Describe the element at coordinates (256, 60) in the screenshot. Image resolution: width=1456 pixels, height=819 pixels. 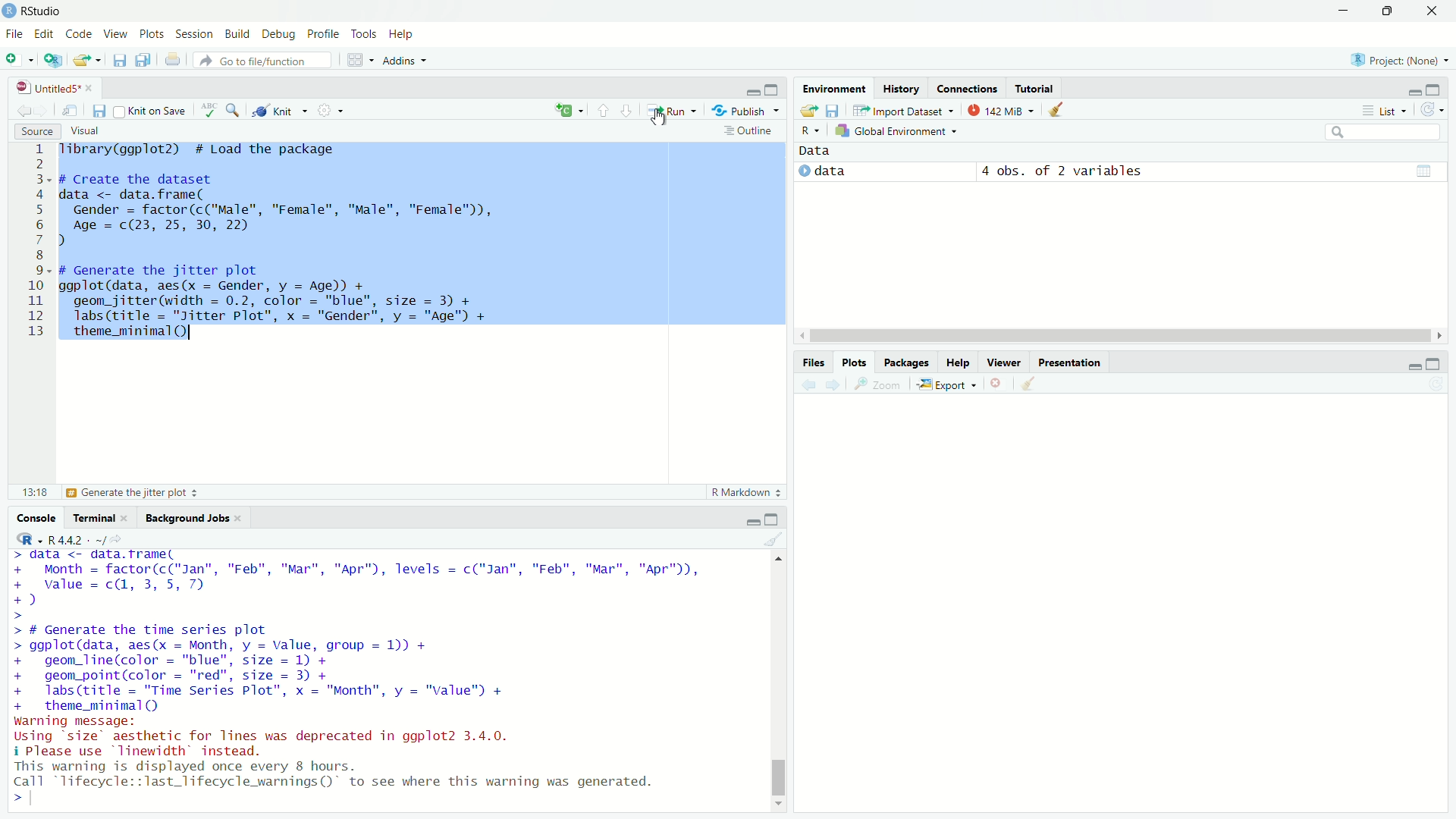
I see `go to file/function` at that location.